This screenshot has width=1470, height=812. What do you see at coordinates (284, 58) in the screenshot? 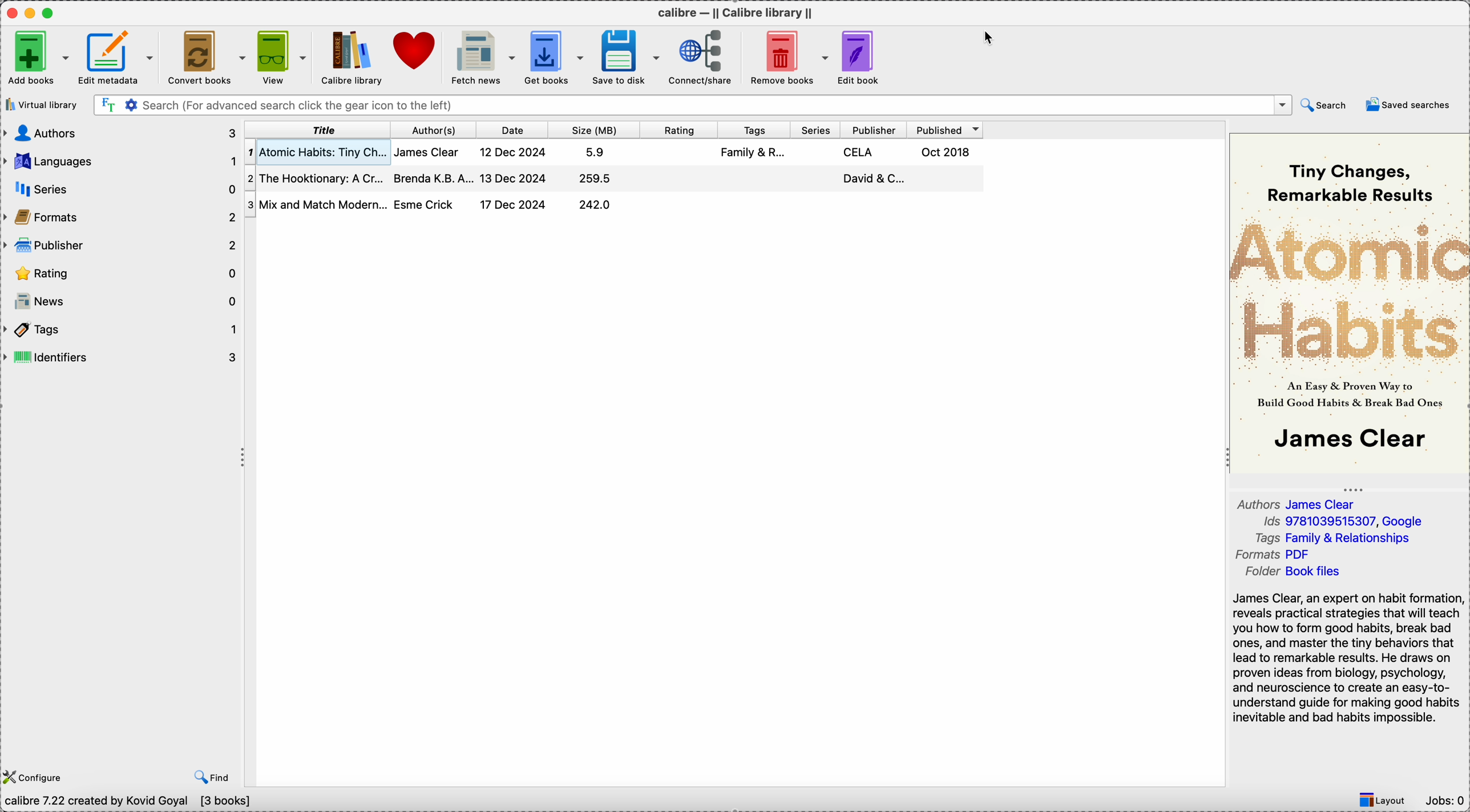
I see `click on view options` at bounding box center [284, 58].